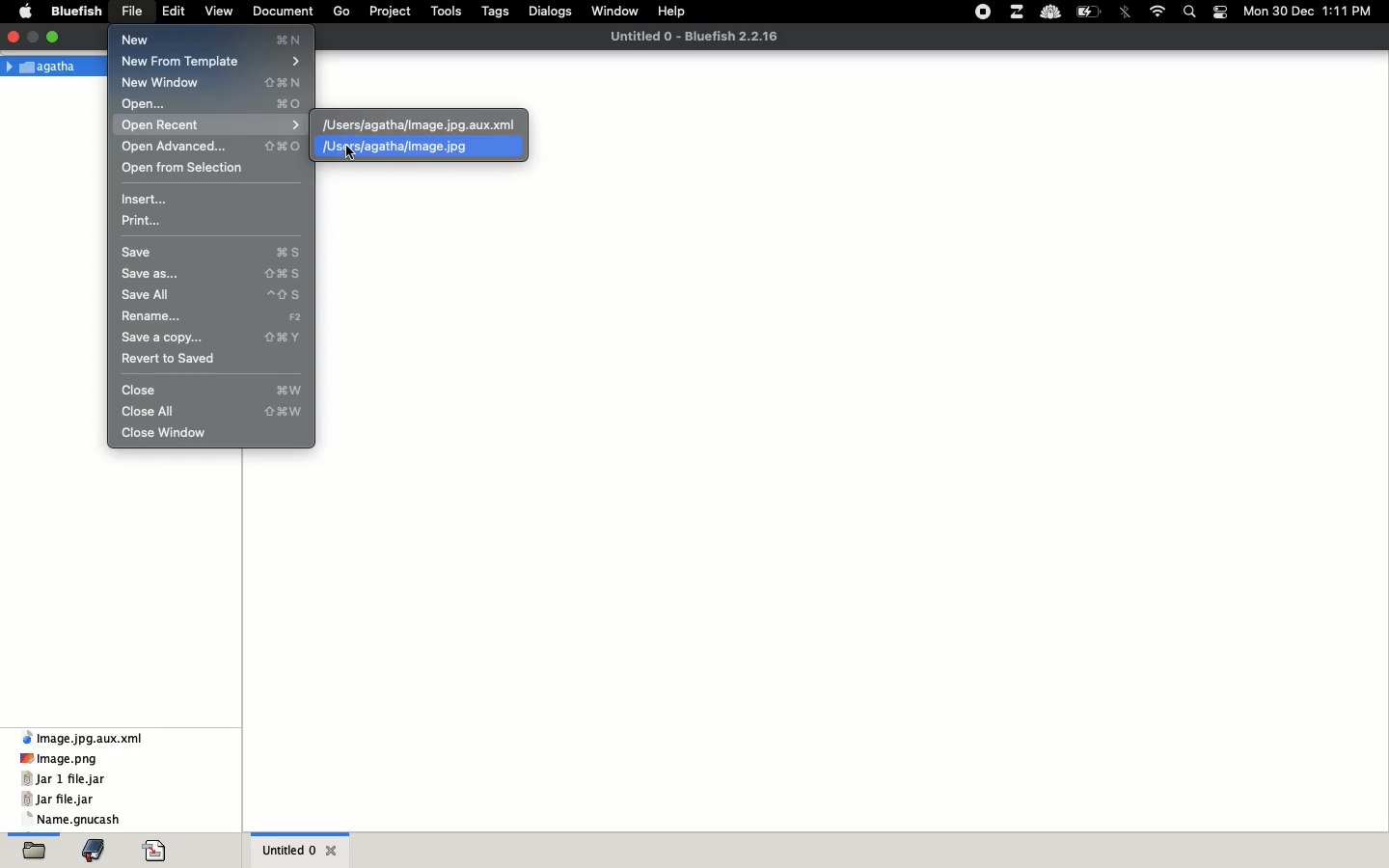  Describe the element at coordinates (674, 12) in the screenshot. I see `help` at that location.